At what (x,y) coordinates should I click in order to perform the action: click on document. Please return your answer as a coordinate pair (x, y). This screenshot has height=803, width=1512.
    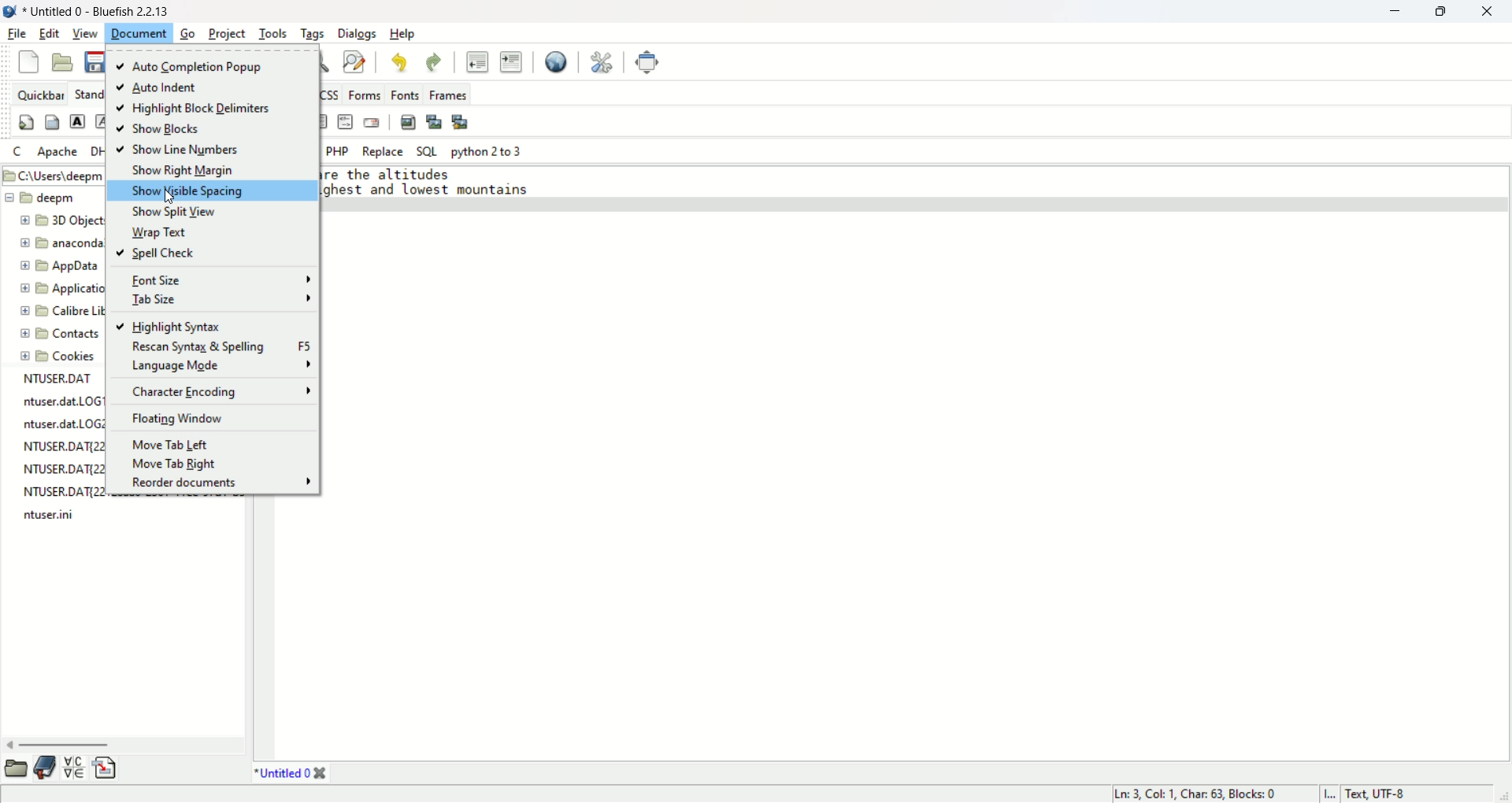
    Looking at the image, I should click on (139, 33).